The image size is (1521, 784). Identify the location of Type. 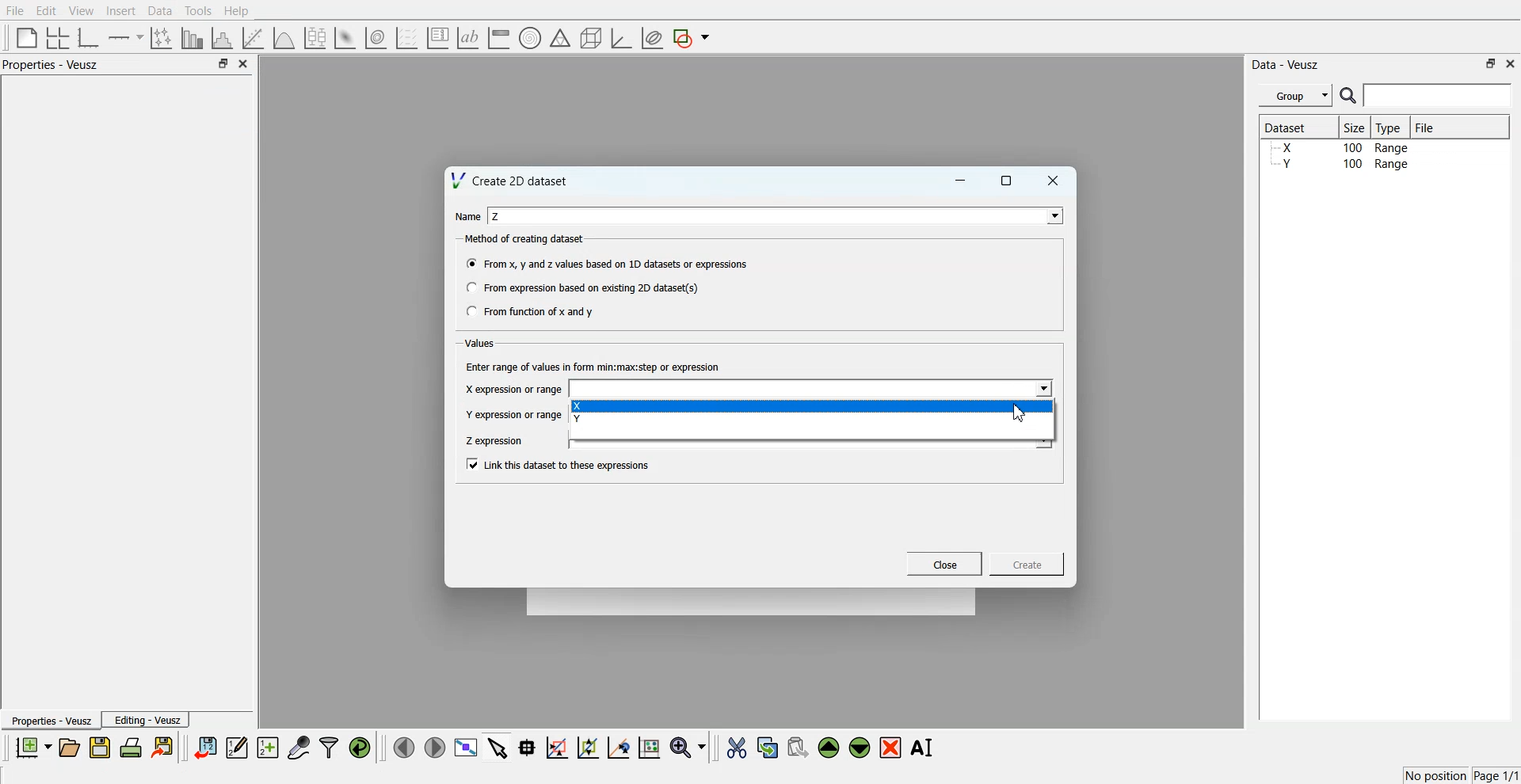
(1390, 127).